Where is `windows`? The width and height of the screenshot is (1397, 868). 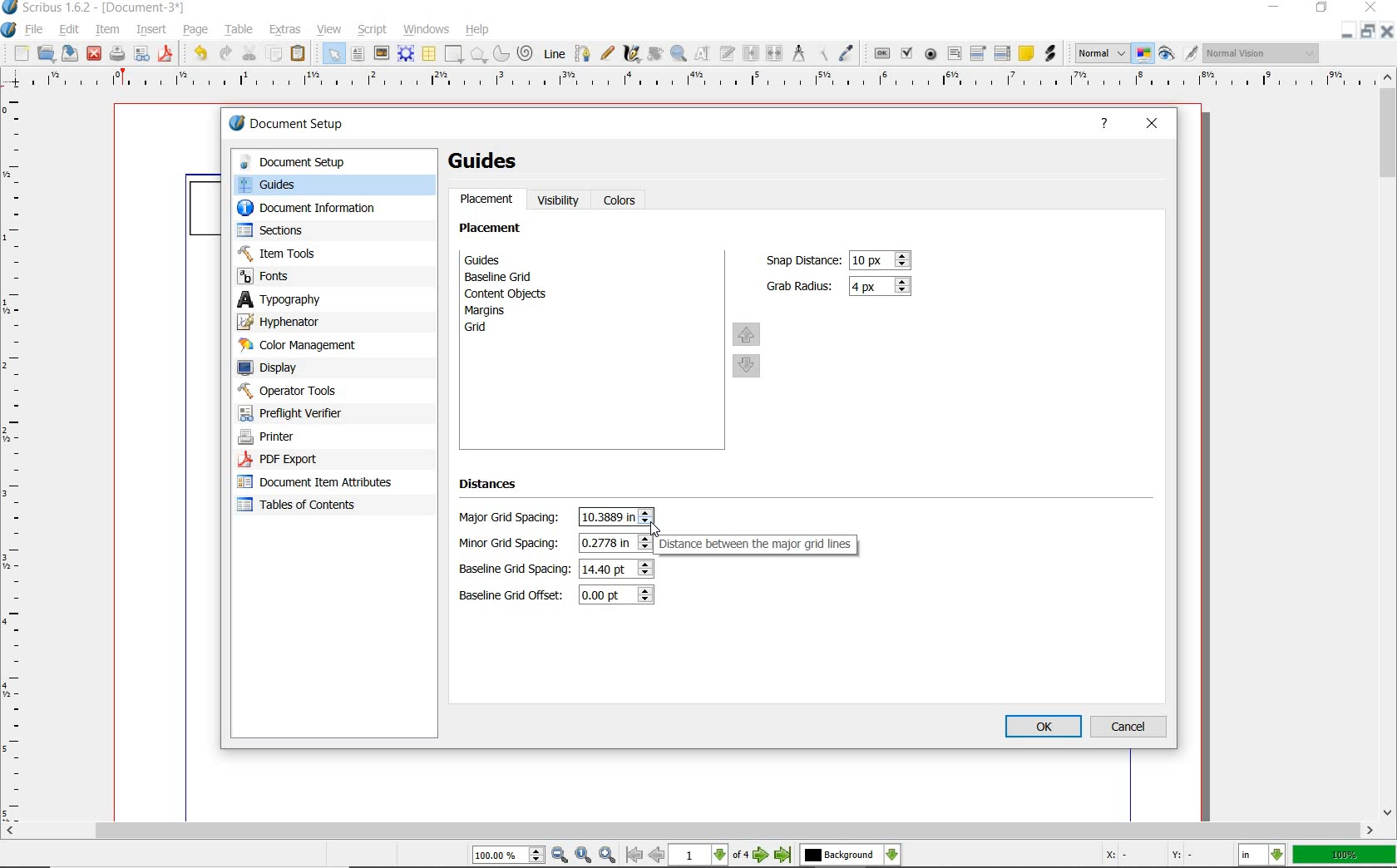
windows is located at coordinates (427, 28).